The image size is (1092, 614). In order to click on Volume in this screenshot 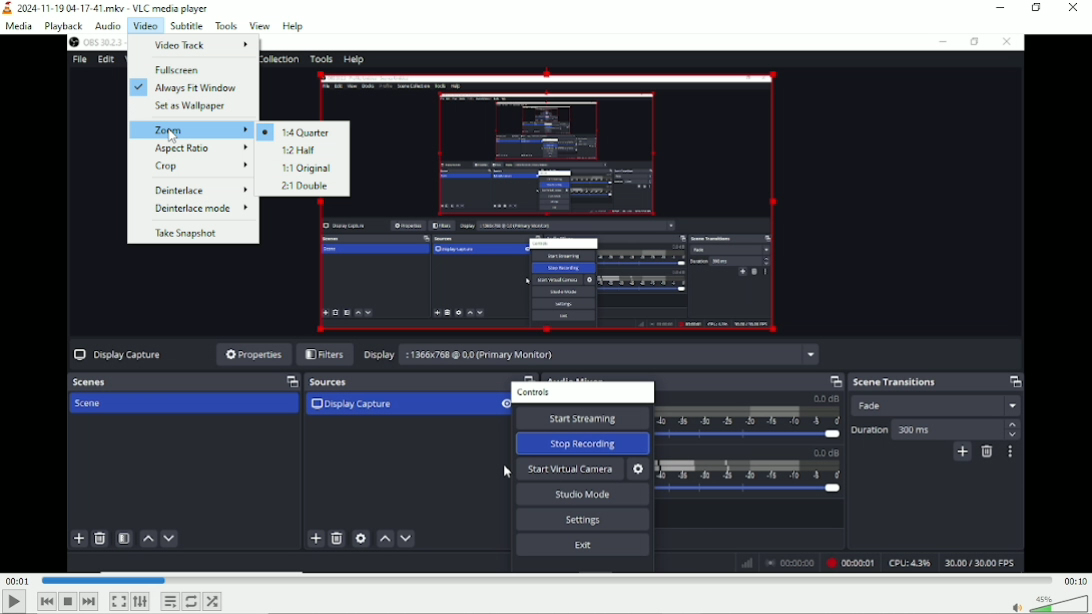, I will do `click(1046, 603)`.